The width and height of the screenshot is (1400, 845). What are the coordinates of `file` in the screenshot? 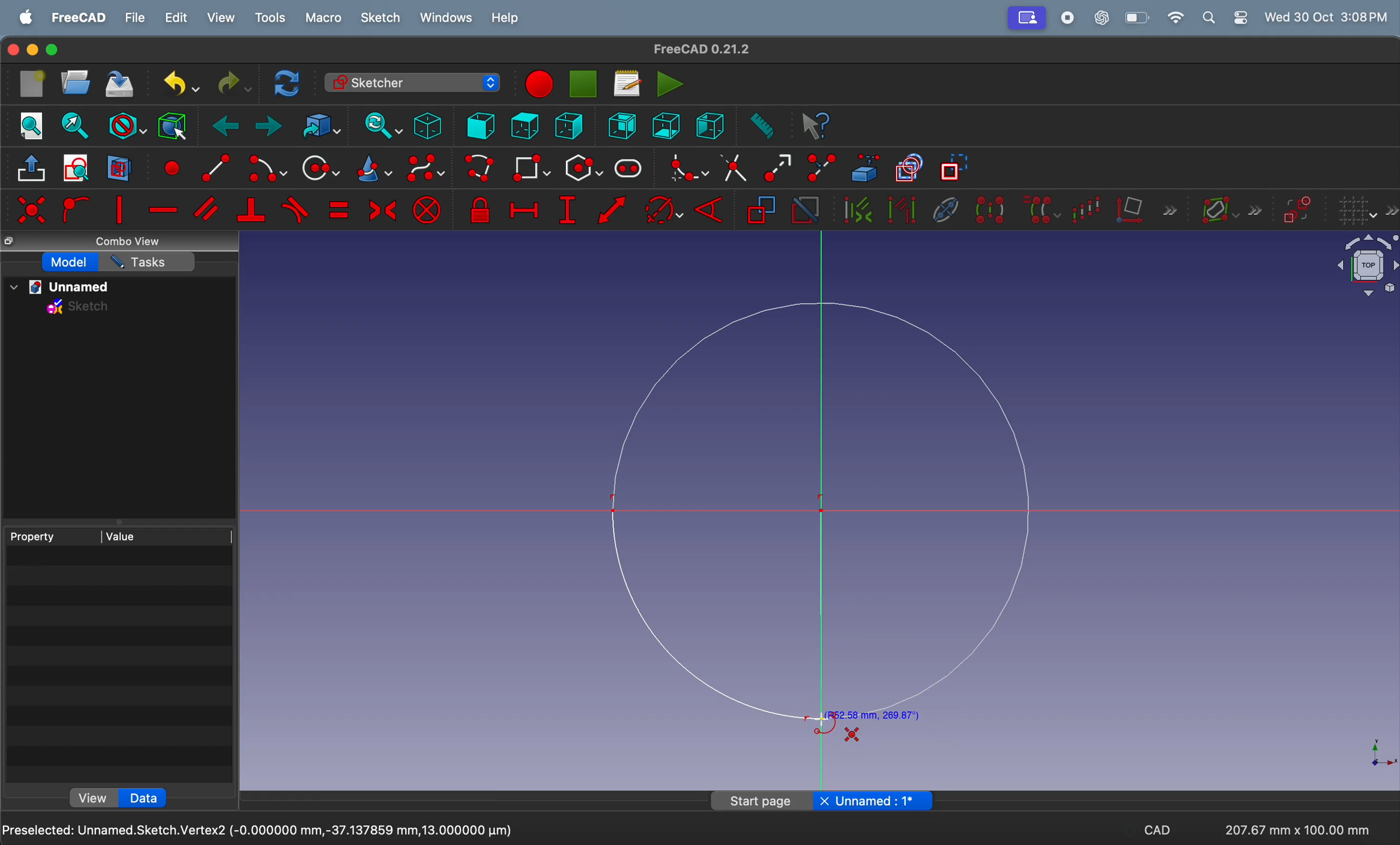 It's located at (136, 18).